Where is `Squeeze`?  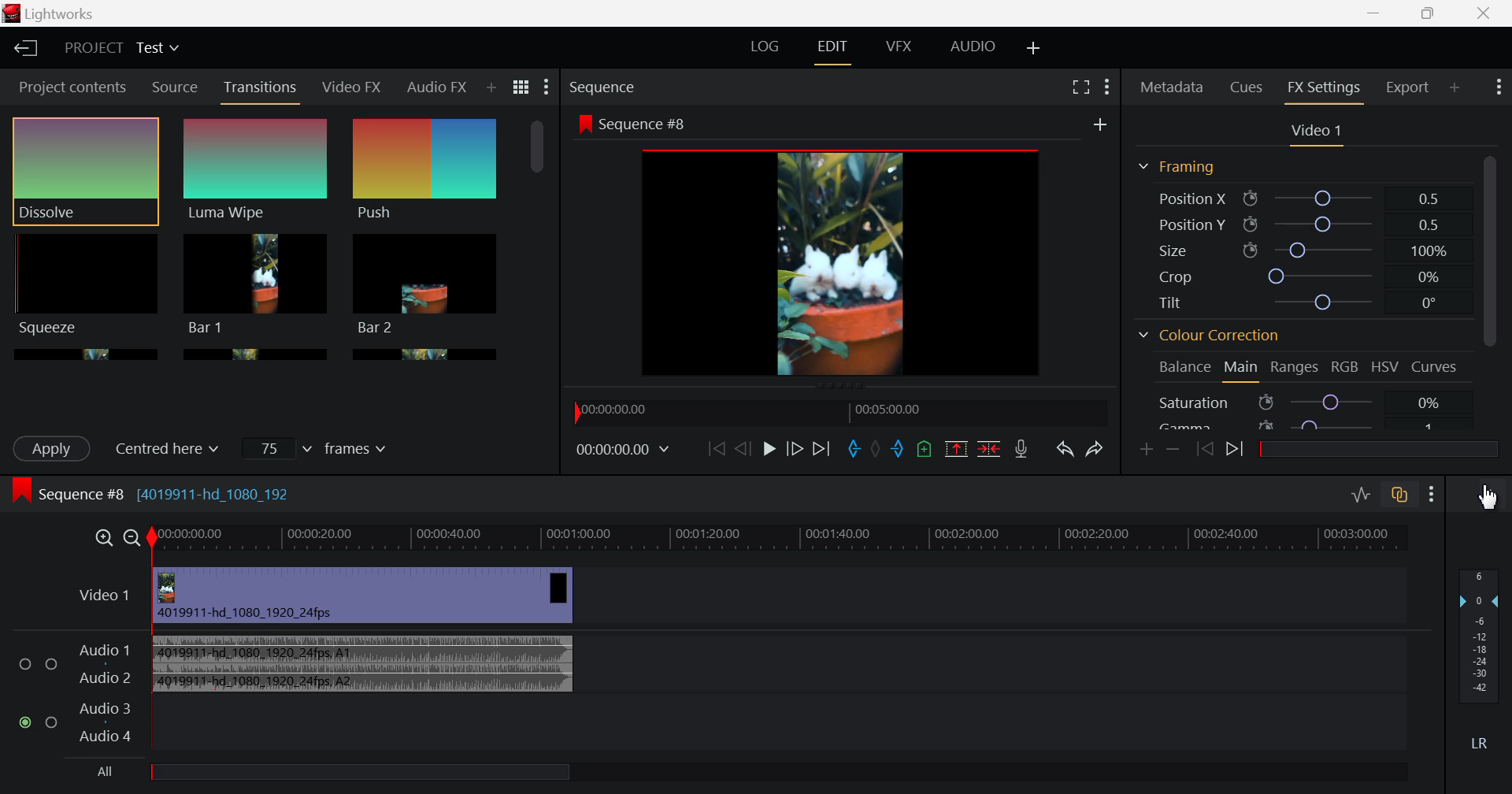
Squeeze is located at coordinates (84, 284).